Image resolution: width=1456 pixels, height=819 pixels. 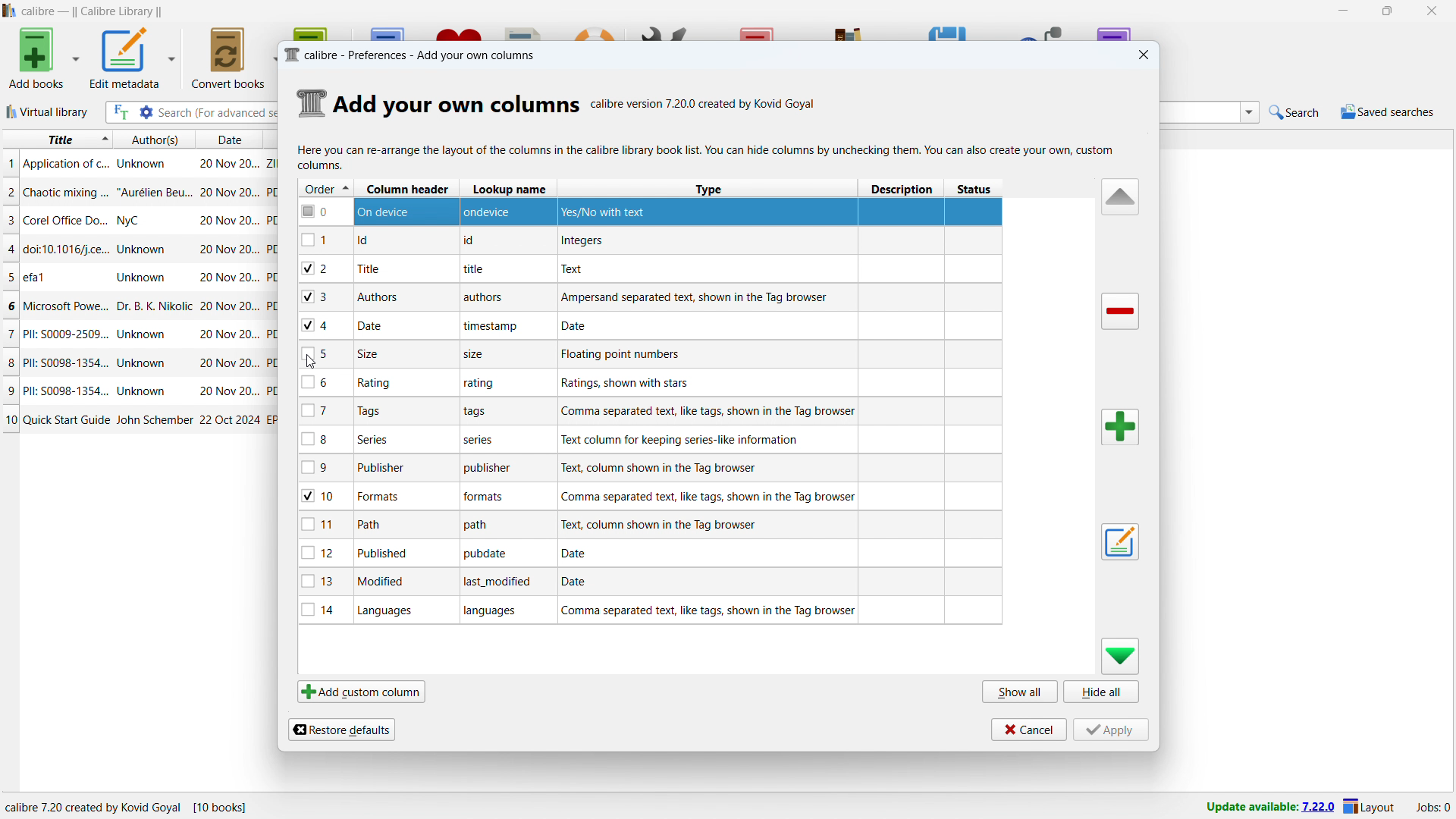 I want to click on Comma separated text, like tags, shown in the Tag browser, so click(x=709, y=497).